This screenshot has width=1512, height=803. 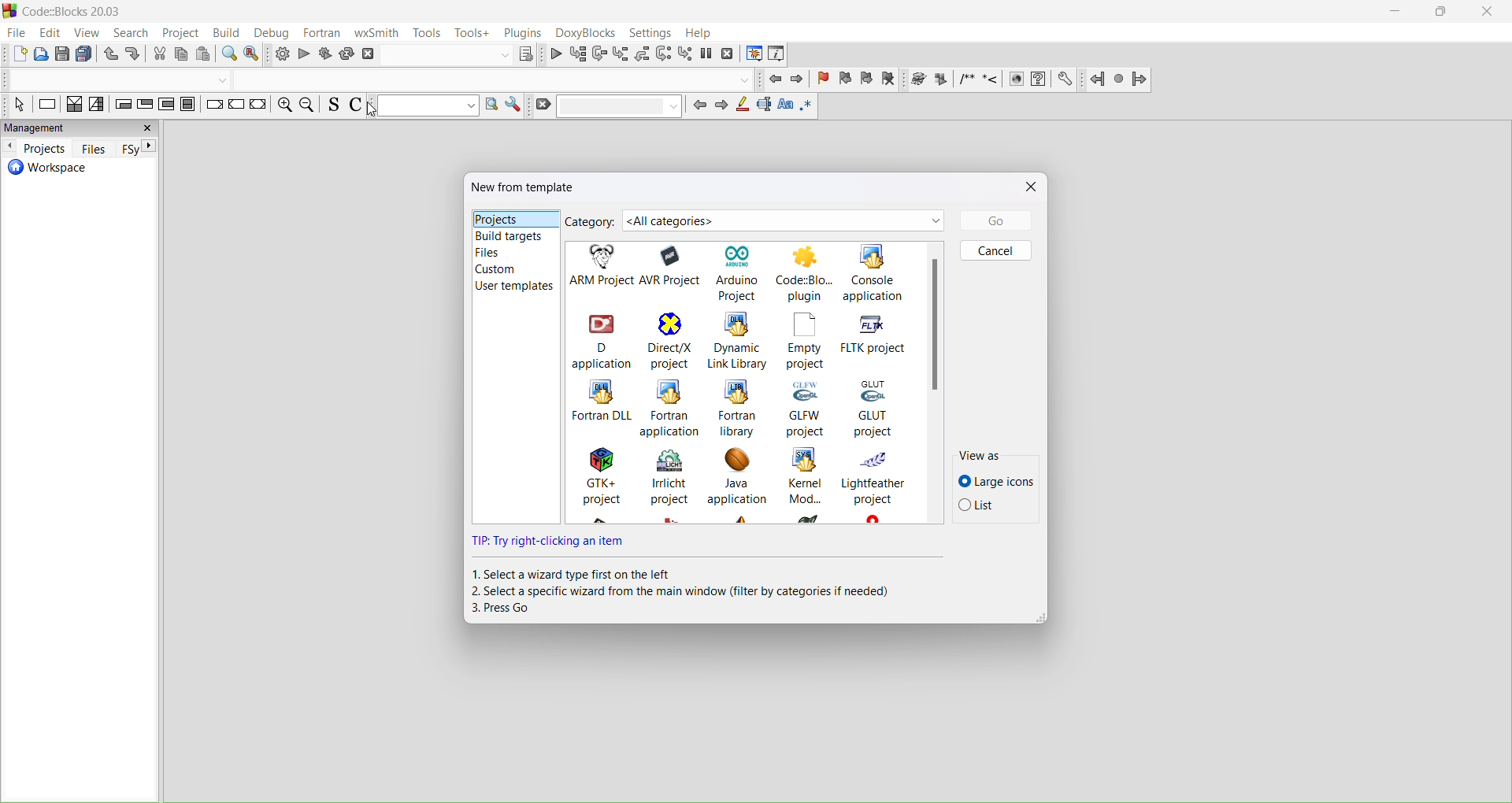 I want to click on console applications, so click(x=884, y=272).